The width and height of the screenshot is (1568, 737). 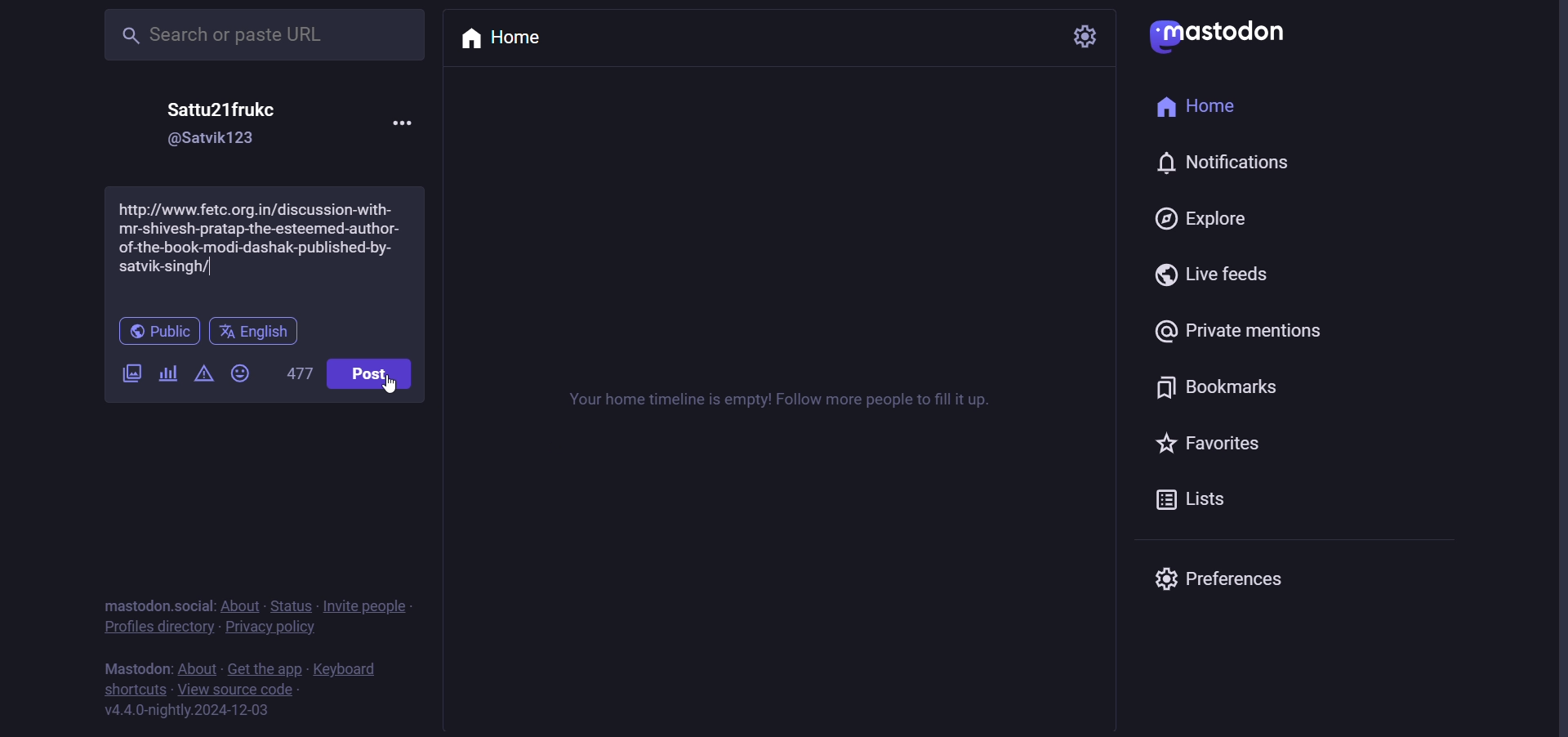 What do you see at coordinates (196, 670) in the screenshot?
I see `about` at bounding box center [196, 670].